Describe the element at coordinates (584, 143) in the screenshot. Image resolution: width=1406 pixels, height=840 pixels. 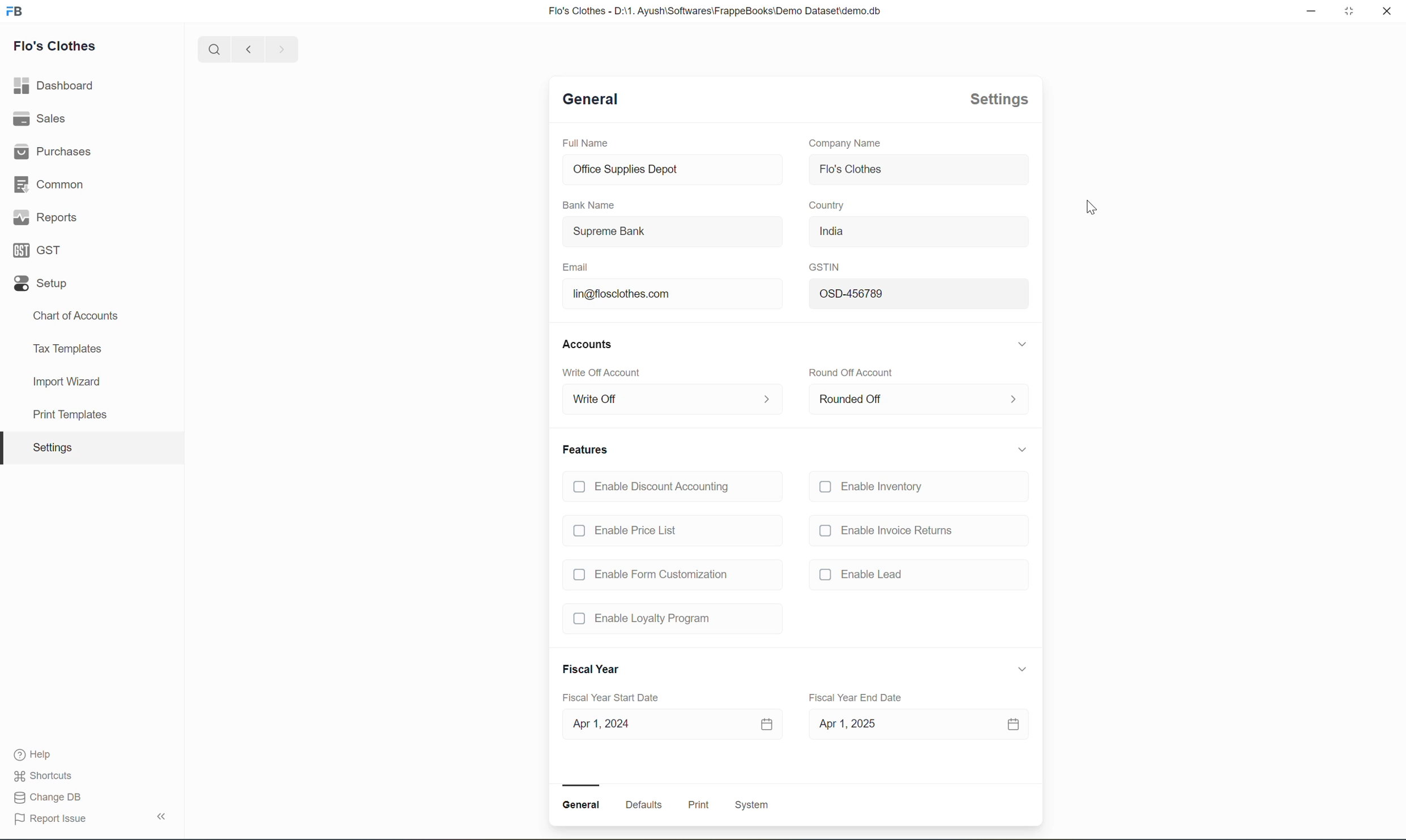
I see `Full Name` at that location.